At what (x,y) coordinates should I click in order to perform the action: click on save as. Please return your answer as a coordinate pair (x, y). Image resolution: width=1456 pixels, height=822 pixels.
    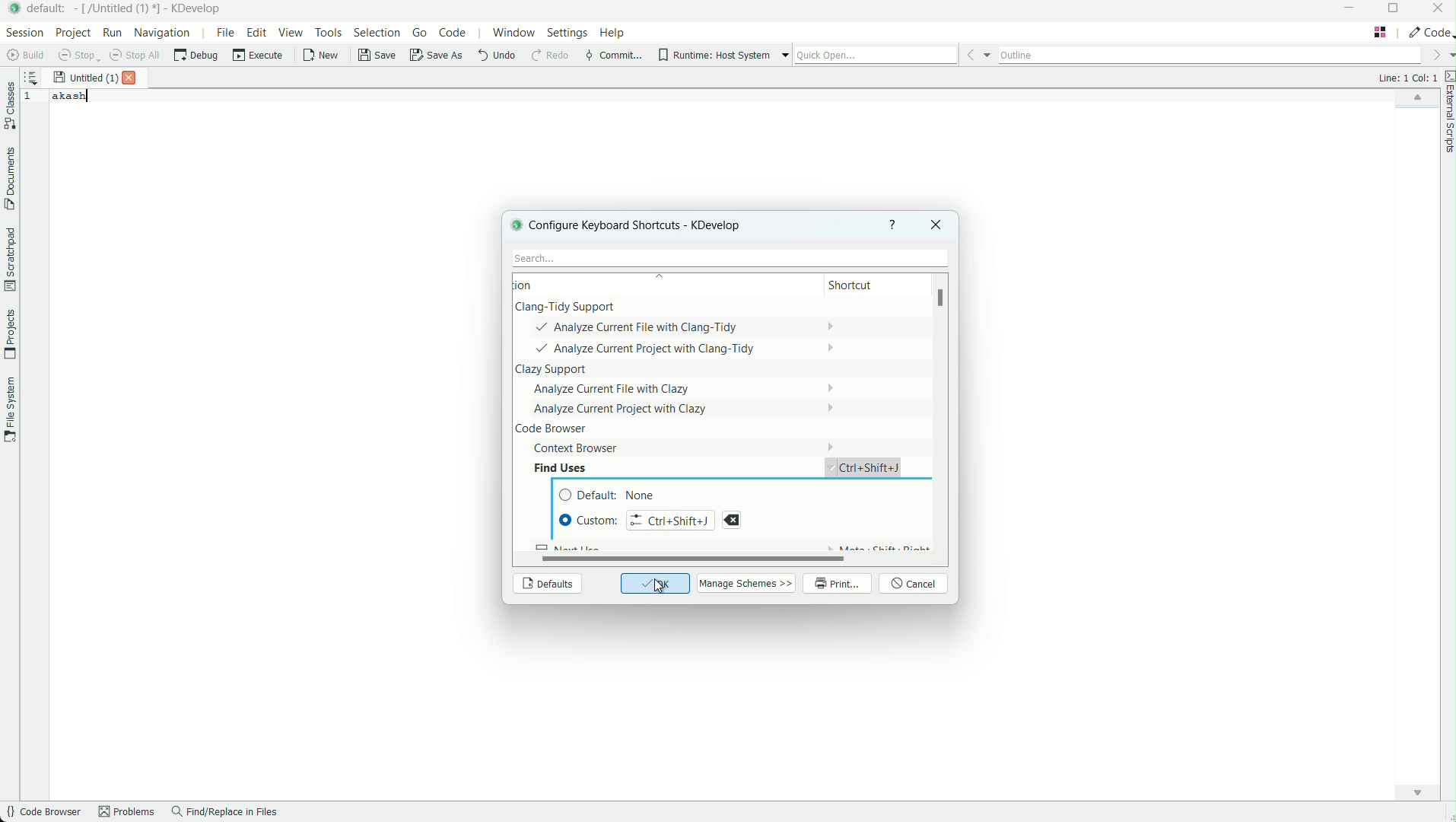
    Looking at the image, I should click on (437, 56).